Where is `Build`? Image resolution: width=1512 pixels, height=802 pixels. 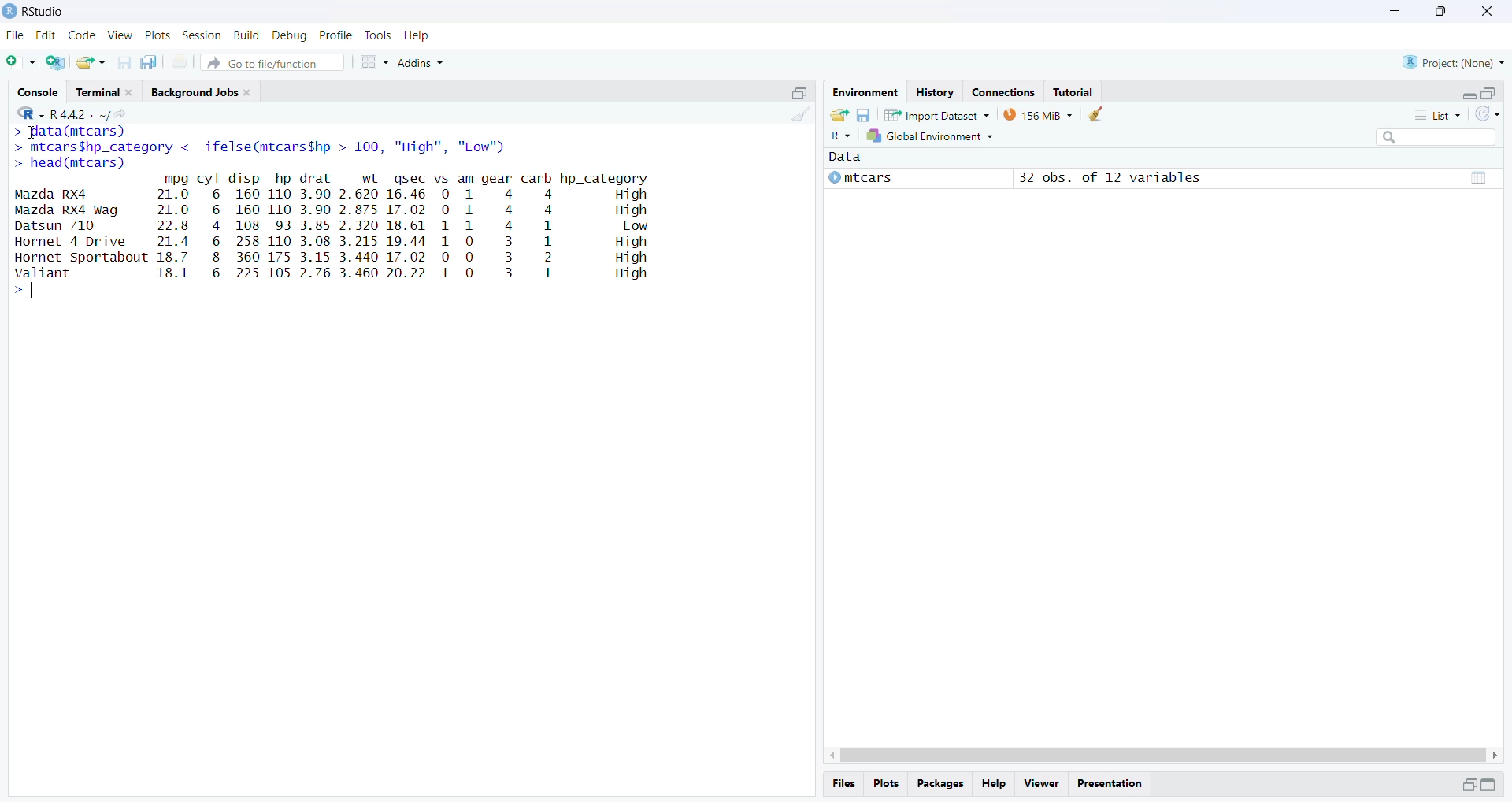 Build is located at coordinates (248, 35).